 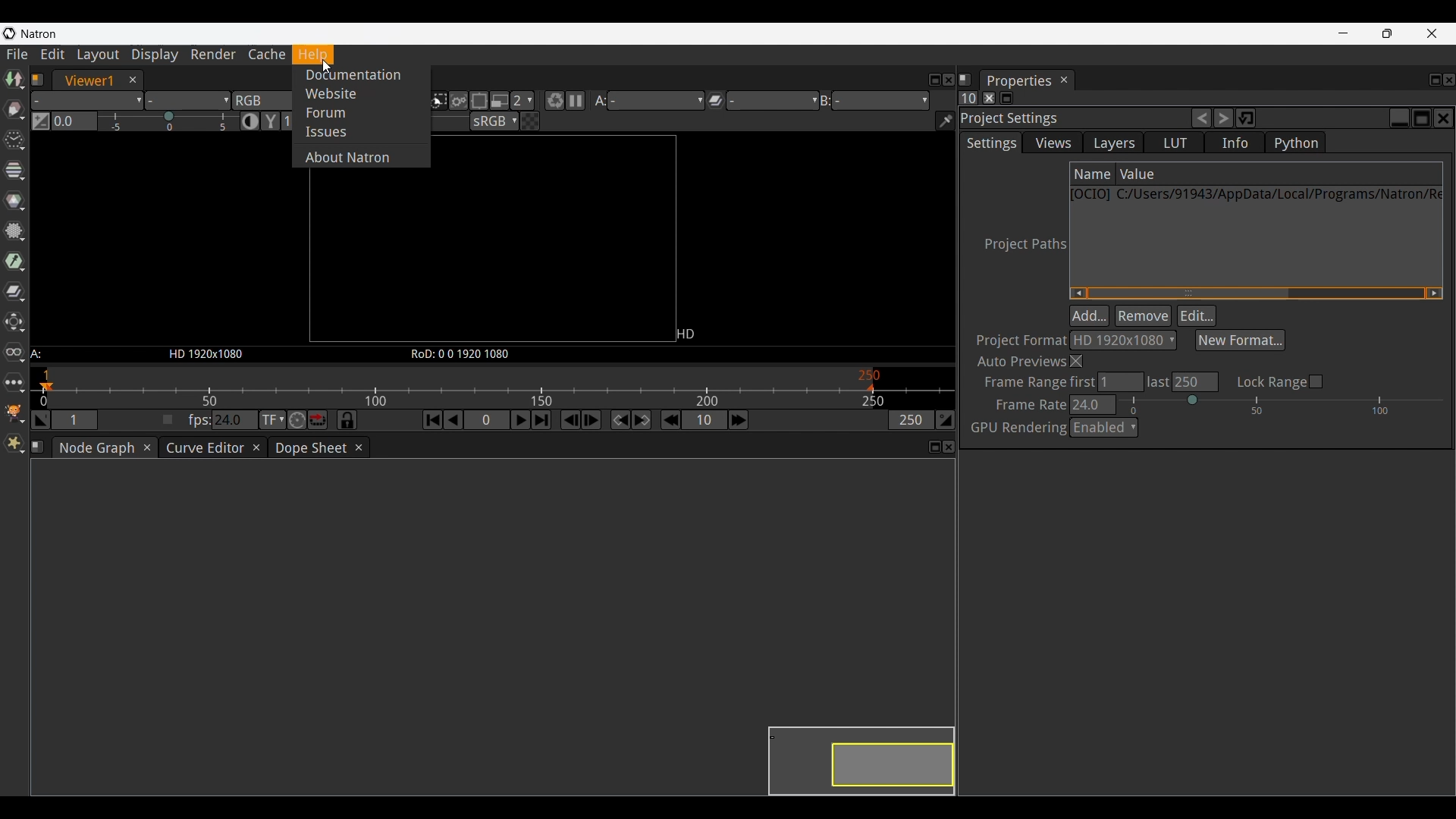 What do you see at coordinates (9, 33) in the screenshot?
I see `Natron logo` at bounding box center [9, 33].